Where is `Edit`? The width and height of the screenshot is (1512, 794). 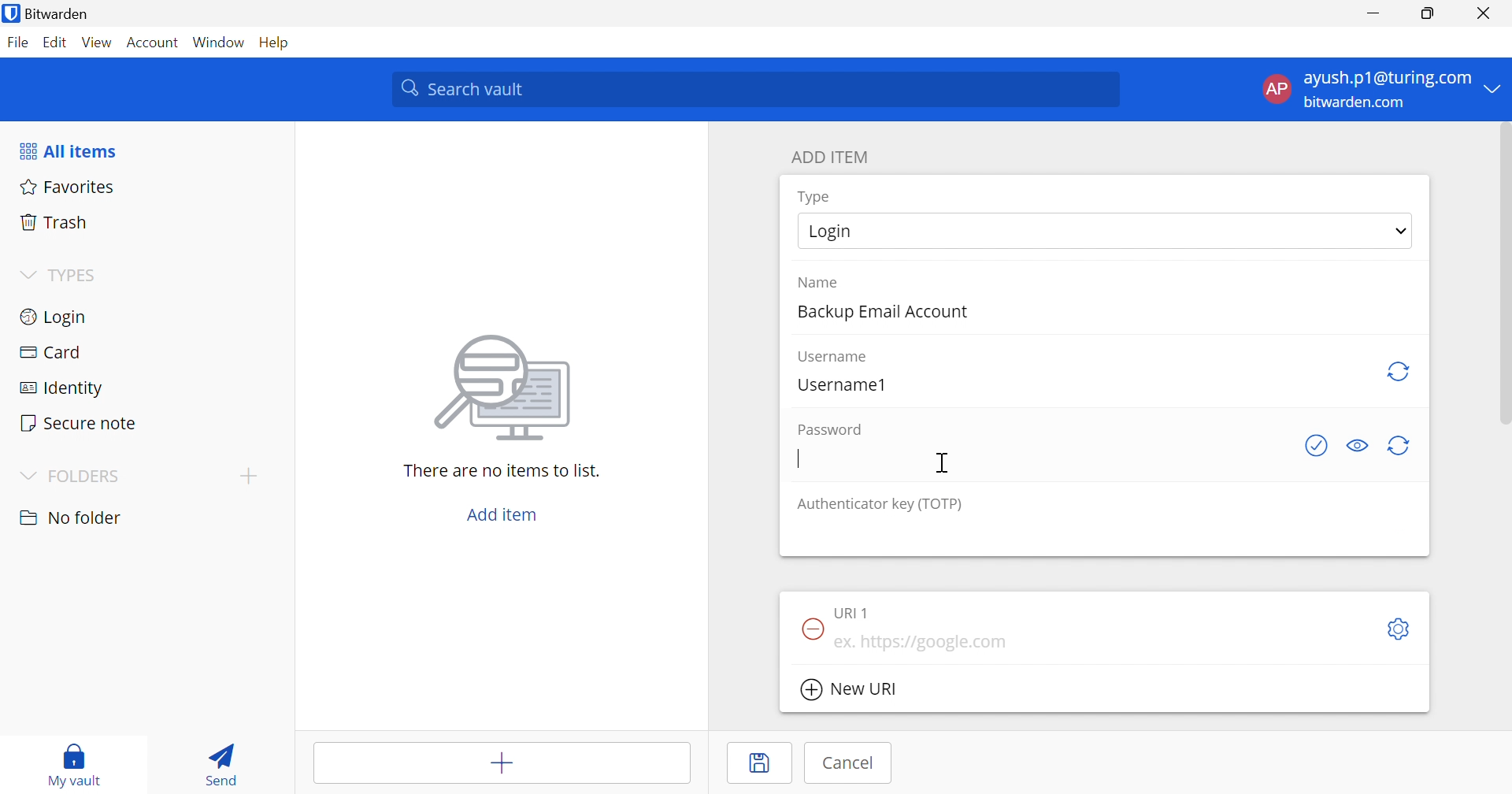
Edit is located at coordinates (55, 42).